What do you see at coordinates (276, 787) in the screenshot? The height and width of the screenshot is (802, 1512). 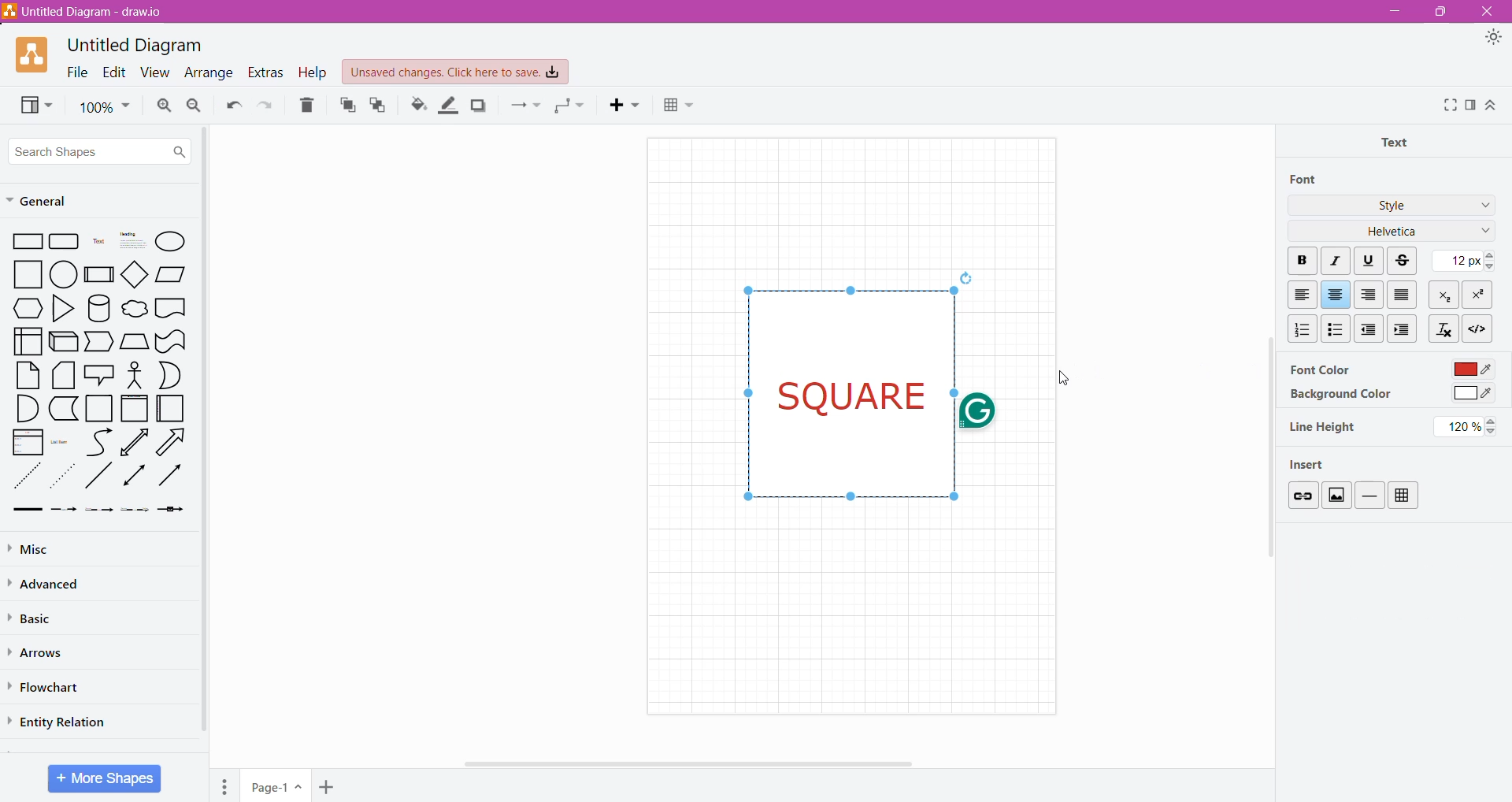 I see `Page Name` at bounding box center [276, 787].